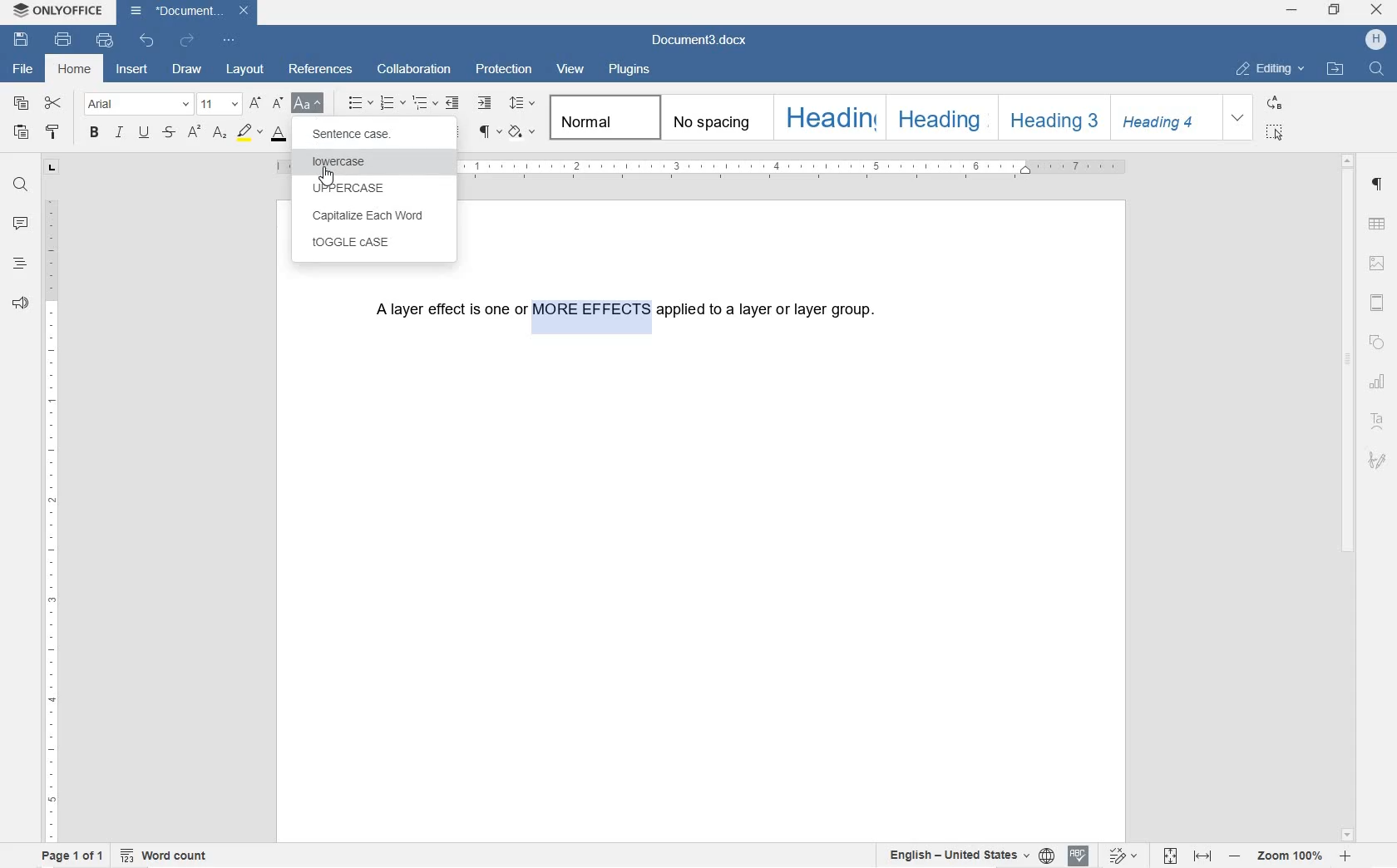 Image resolution: width=1397 pixels, height=868 pixels. Describe the element at coordinates (1123, 855) in the screenshot. I see `TRACK CHANGES` at that location.